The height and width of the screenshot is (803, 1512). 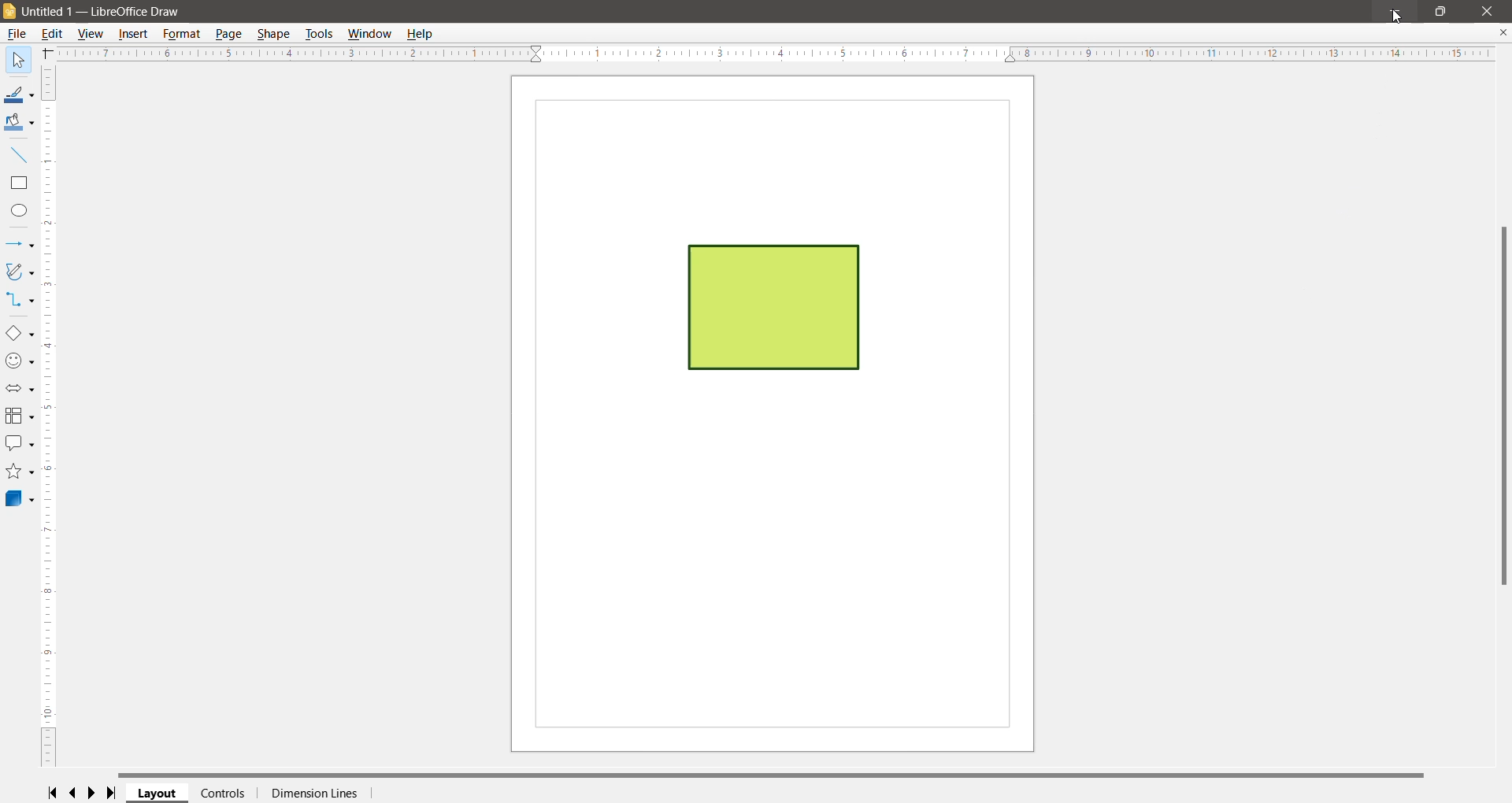 I want to click on Controls, so click(x=223, y=793).